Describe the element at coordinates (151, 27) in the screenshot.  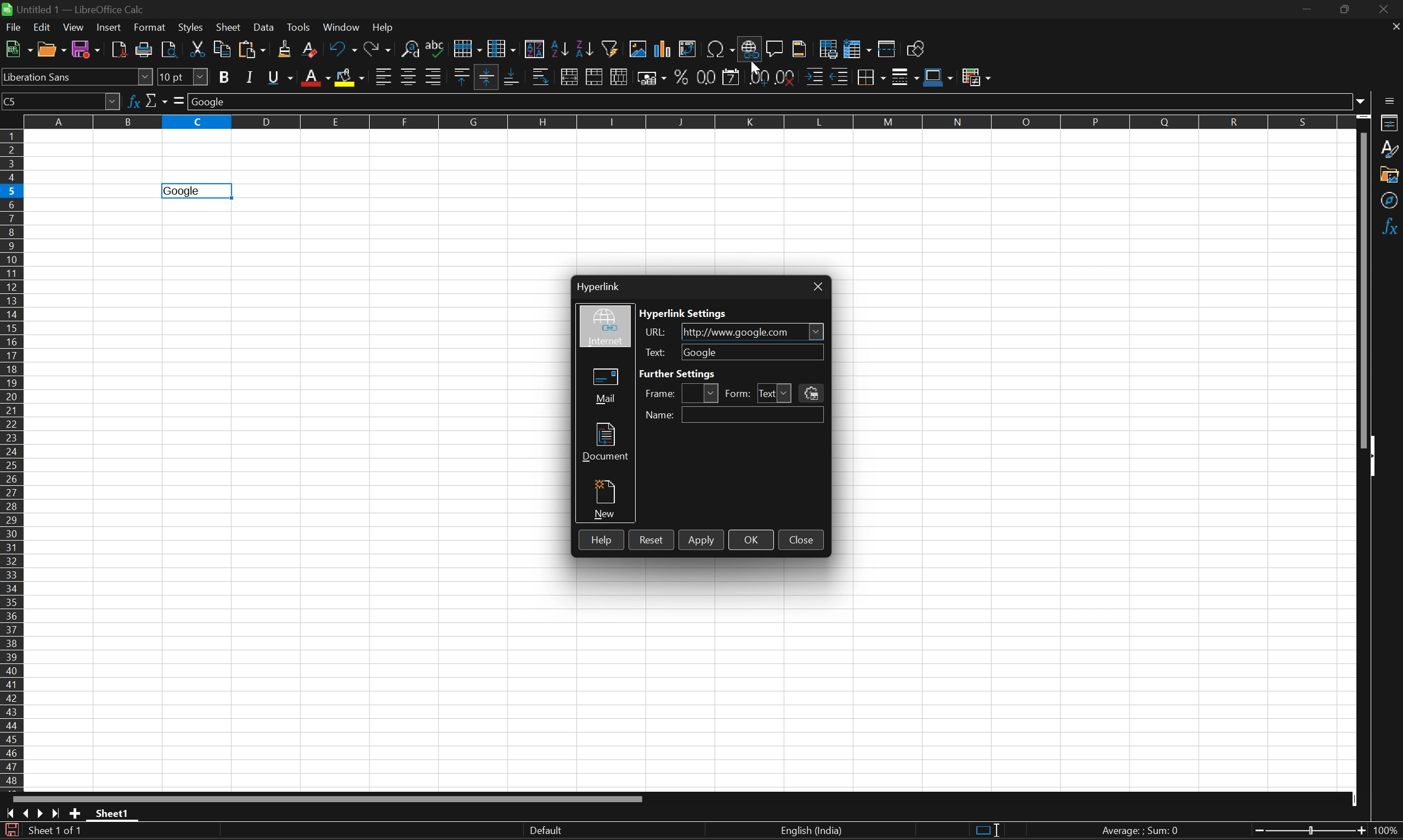
I see `Format` at that location.